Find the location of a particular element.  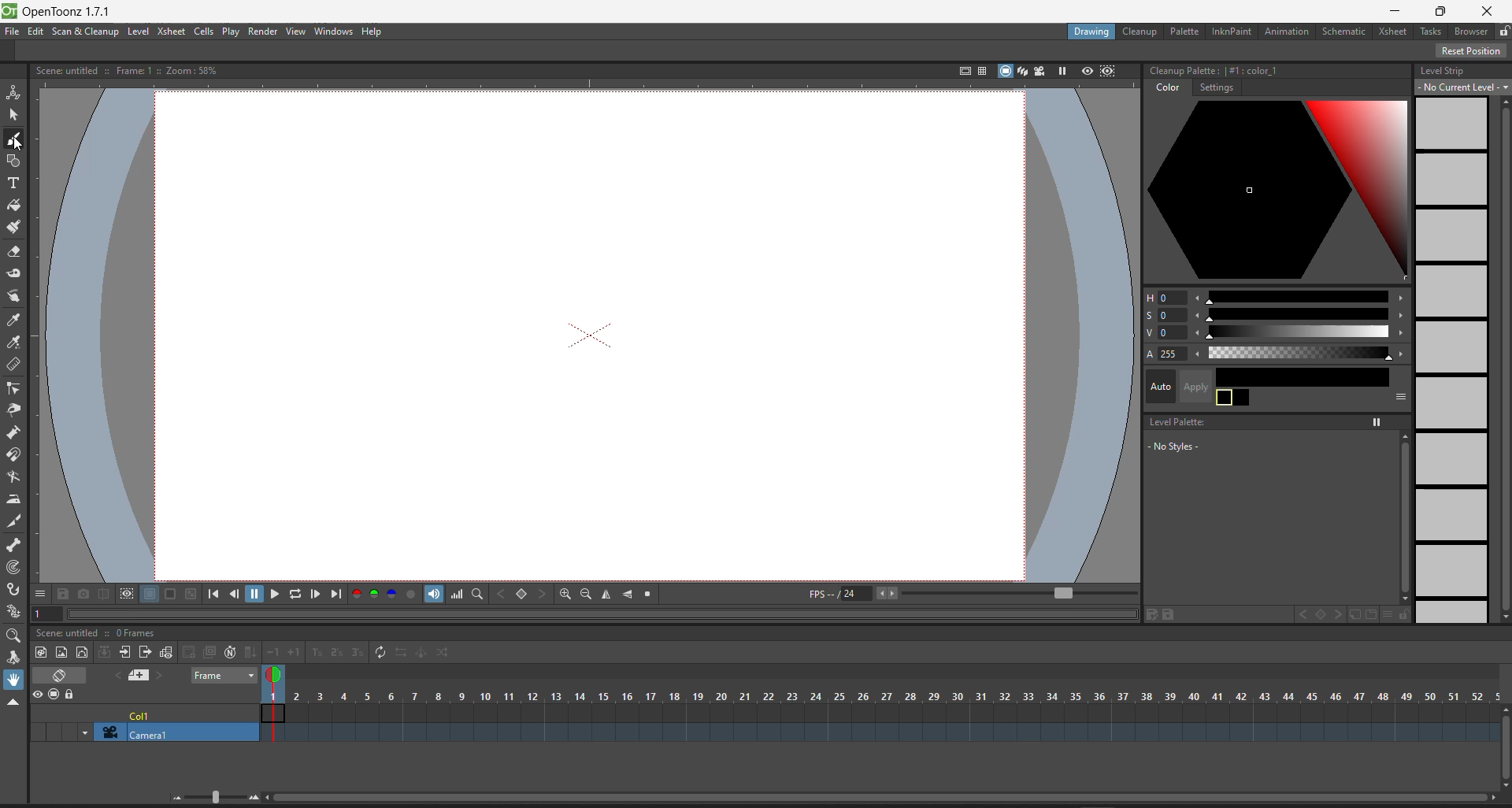

scan and cleanup is located at coordinates (87, 32).